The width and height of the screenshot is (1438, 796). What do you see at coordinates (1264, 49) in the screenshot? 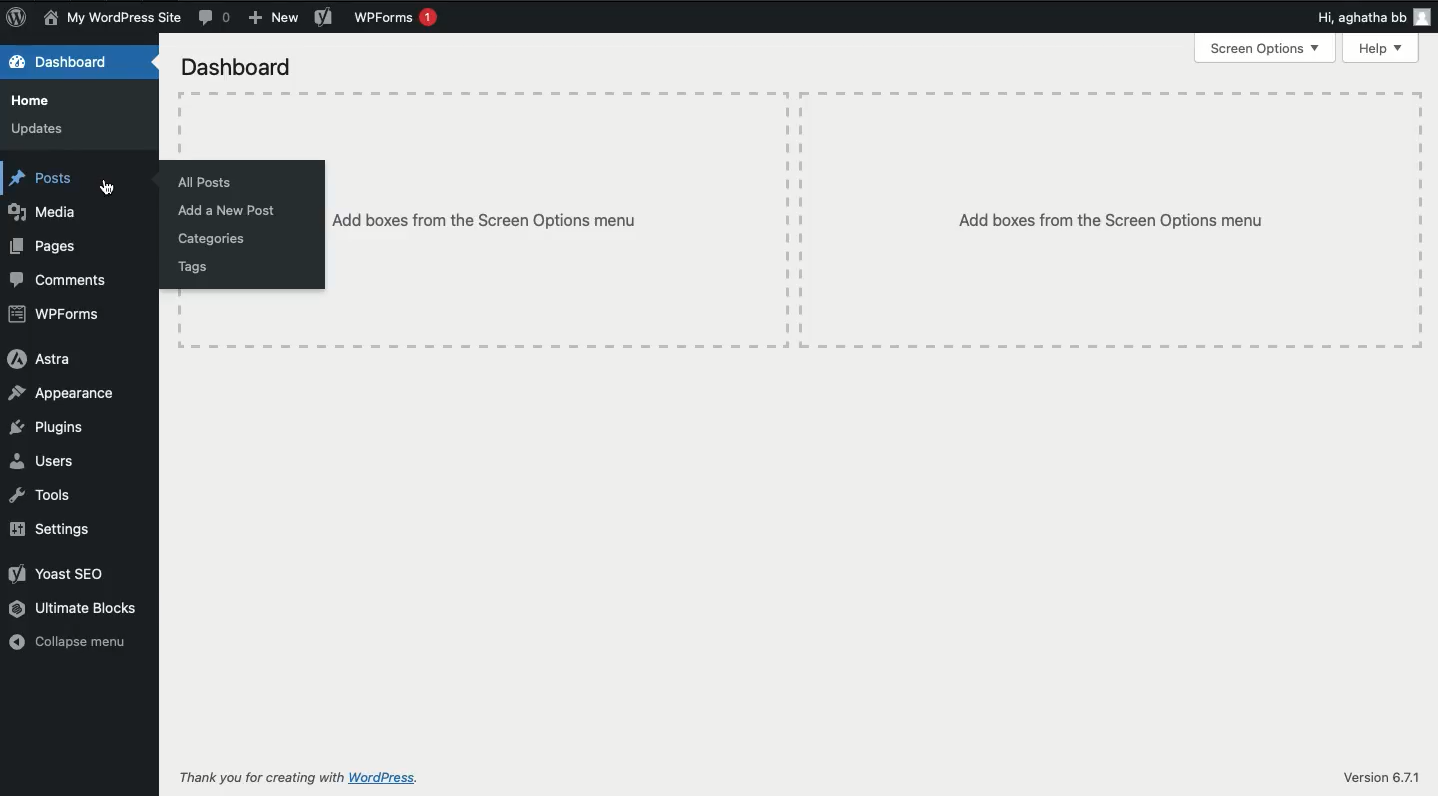
I see `Screen options` at bounding box center [1264, 49].